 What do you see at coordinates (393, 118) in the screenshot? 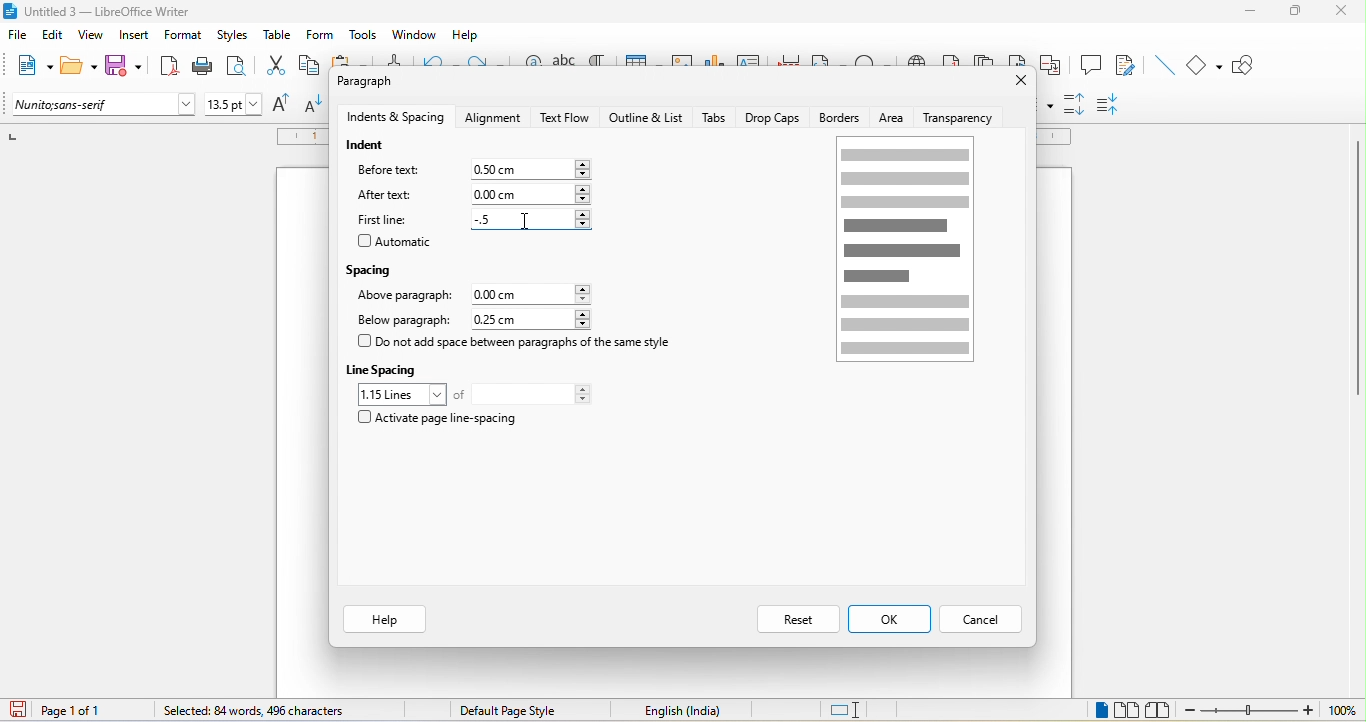
I see `indents and spacing` at bounding box center [393, 118].